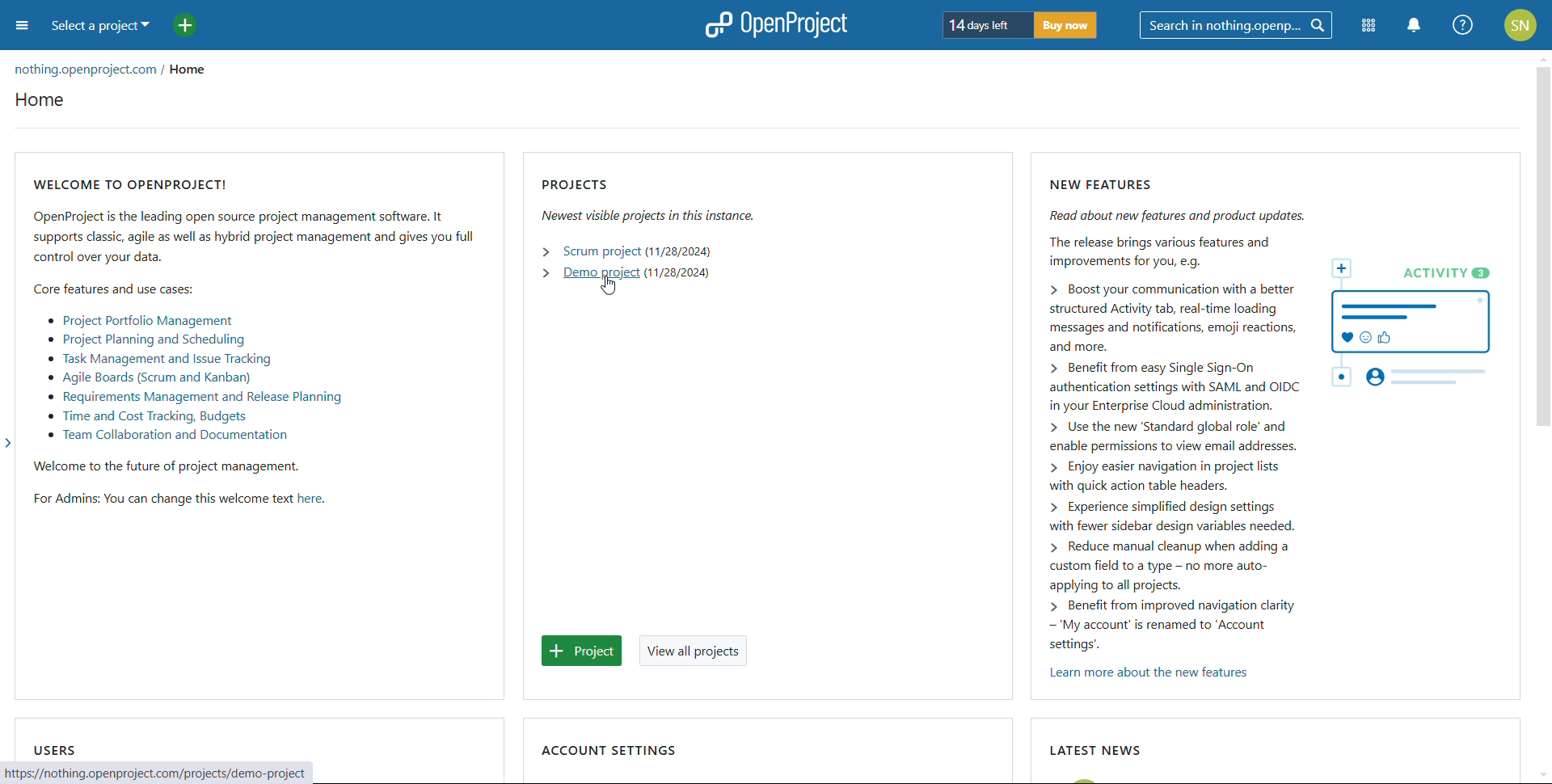  I want to click on scroll up, so click(1542, 57).